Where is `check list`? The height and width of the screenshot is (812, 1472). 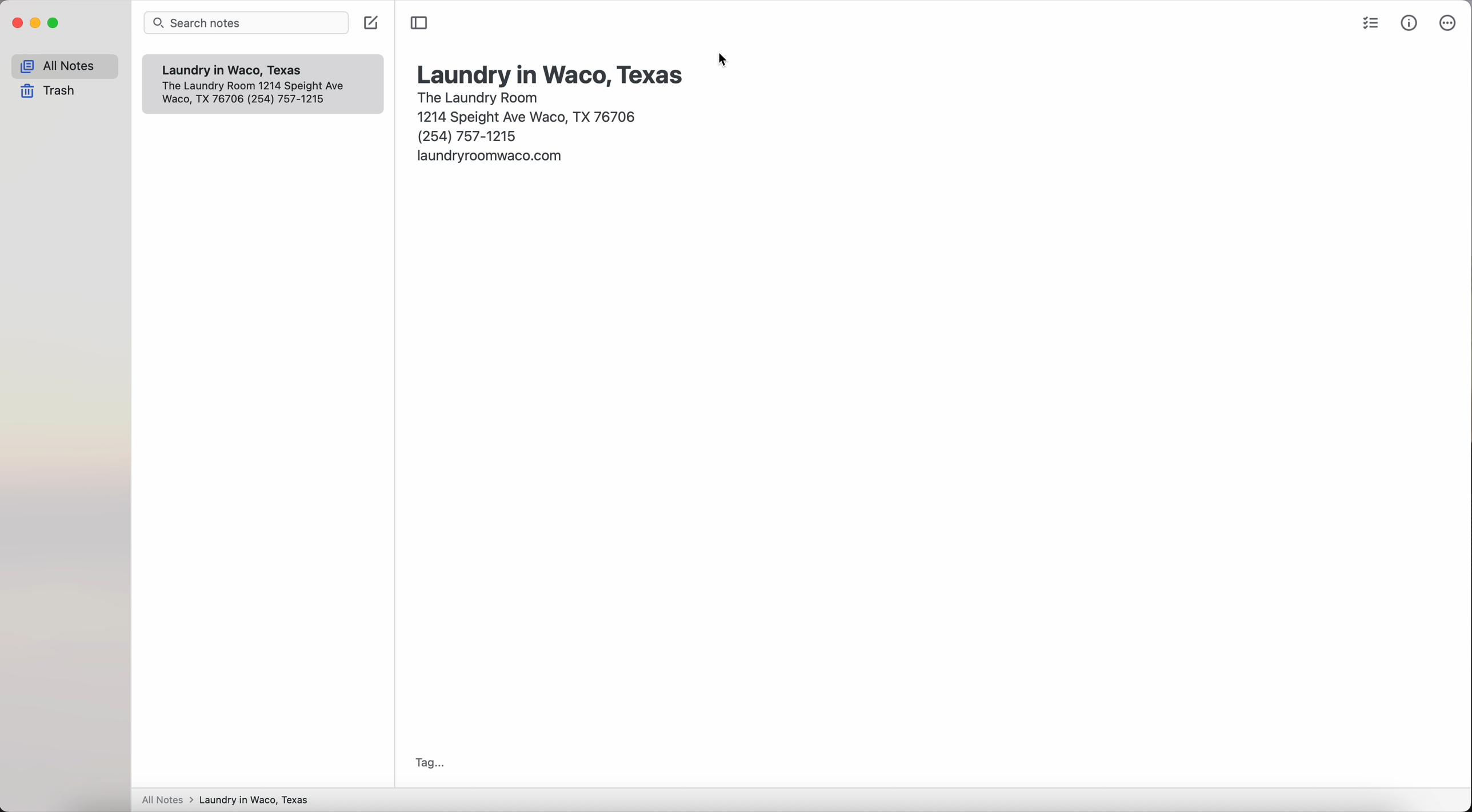
check list is located at coordinates (1368, 25).